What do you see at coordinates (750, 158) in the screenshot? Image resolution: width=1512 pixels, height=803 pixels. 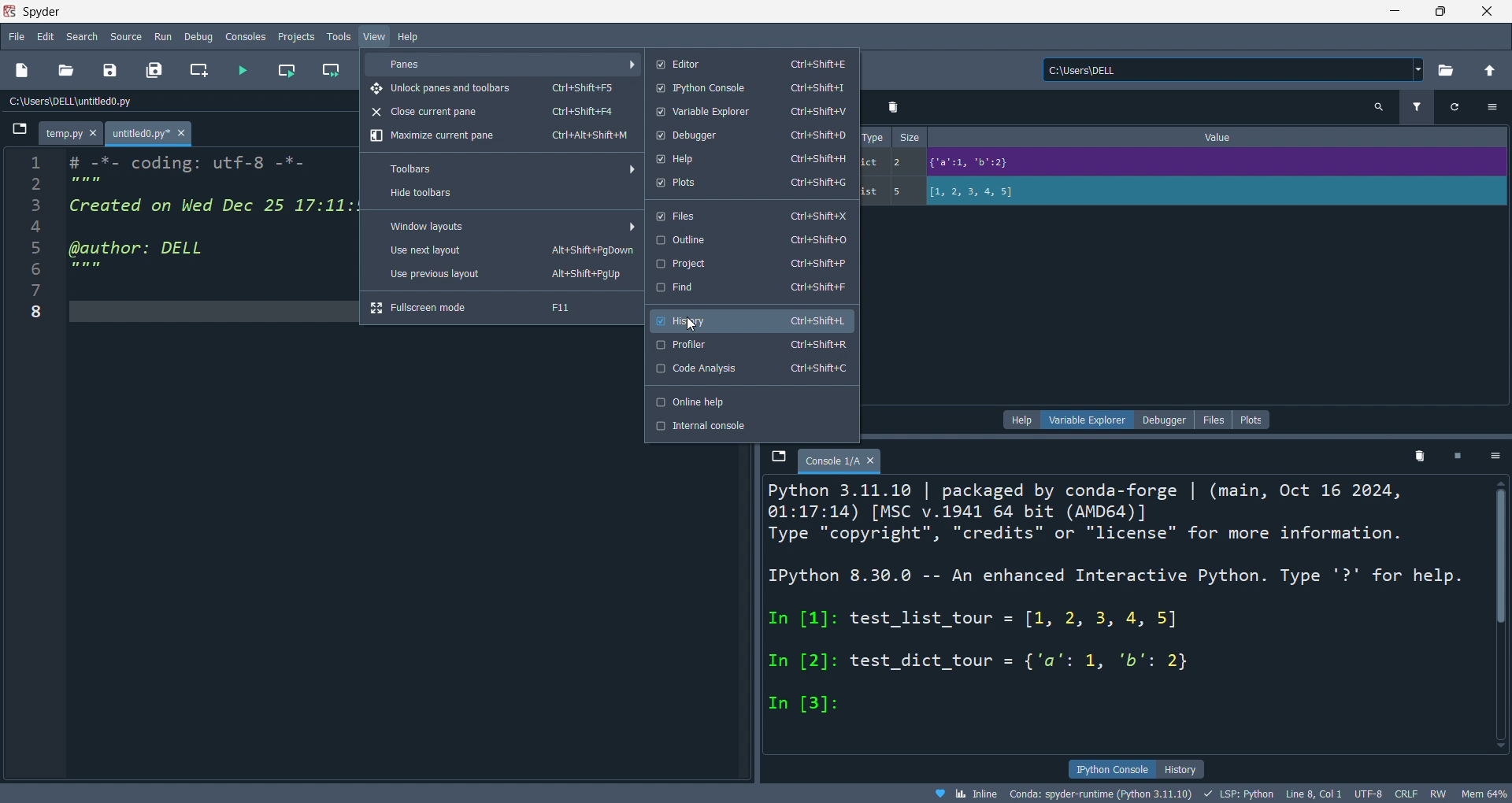 I see `help` at bounding box center [750, 158].